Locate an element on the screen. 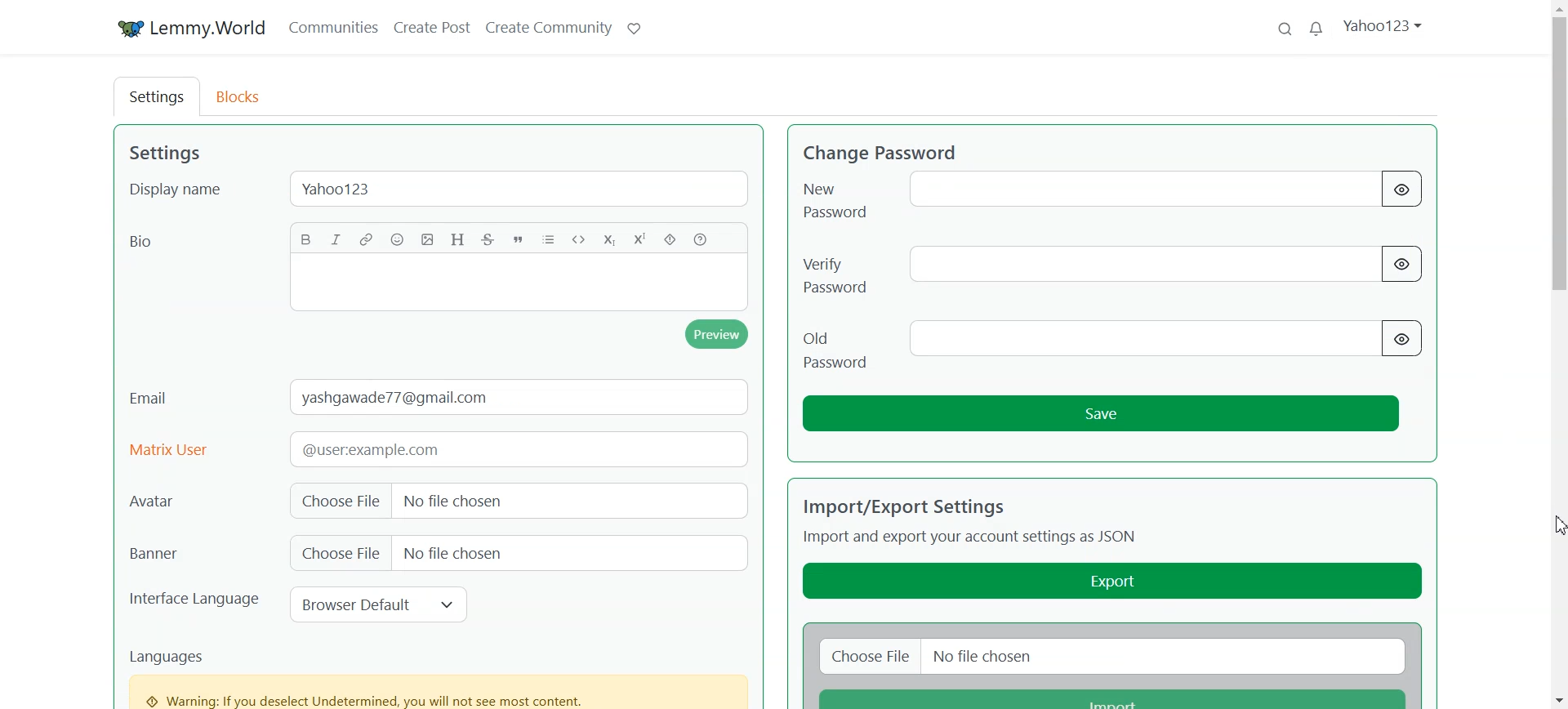 The width and height of the screenshot is (1568, 709). Hyperlink is located at coordinates (366, 239).